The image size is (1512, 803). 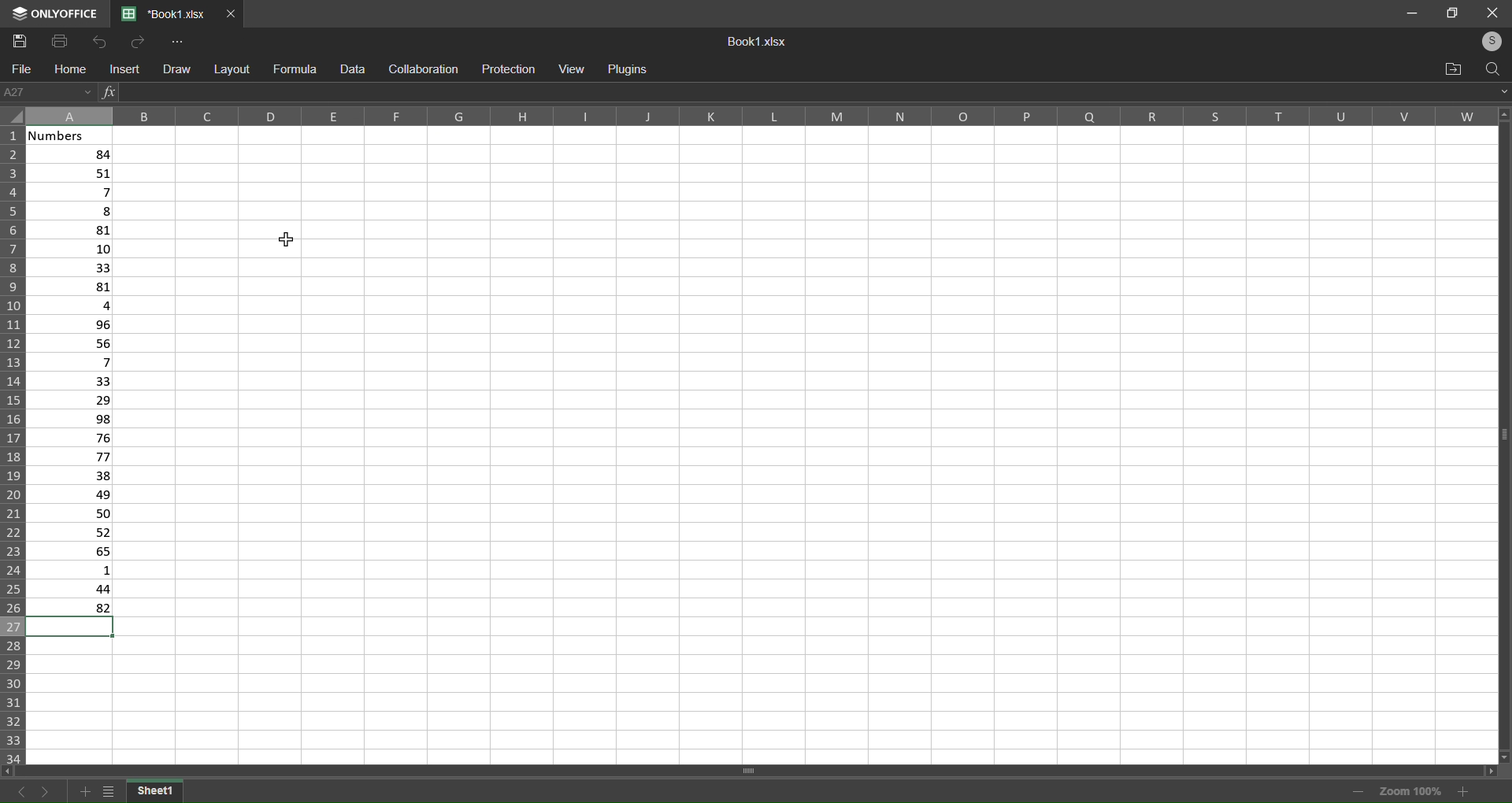 What do you see at coordinates (1494, 13) in the screenshot?
I see `close` at bounding box center [1494, 13].